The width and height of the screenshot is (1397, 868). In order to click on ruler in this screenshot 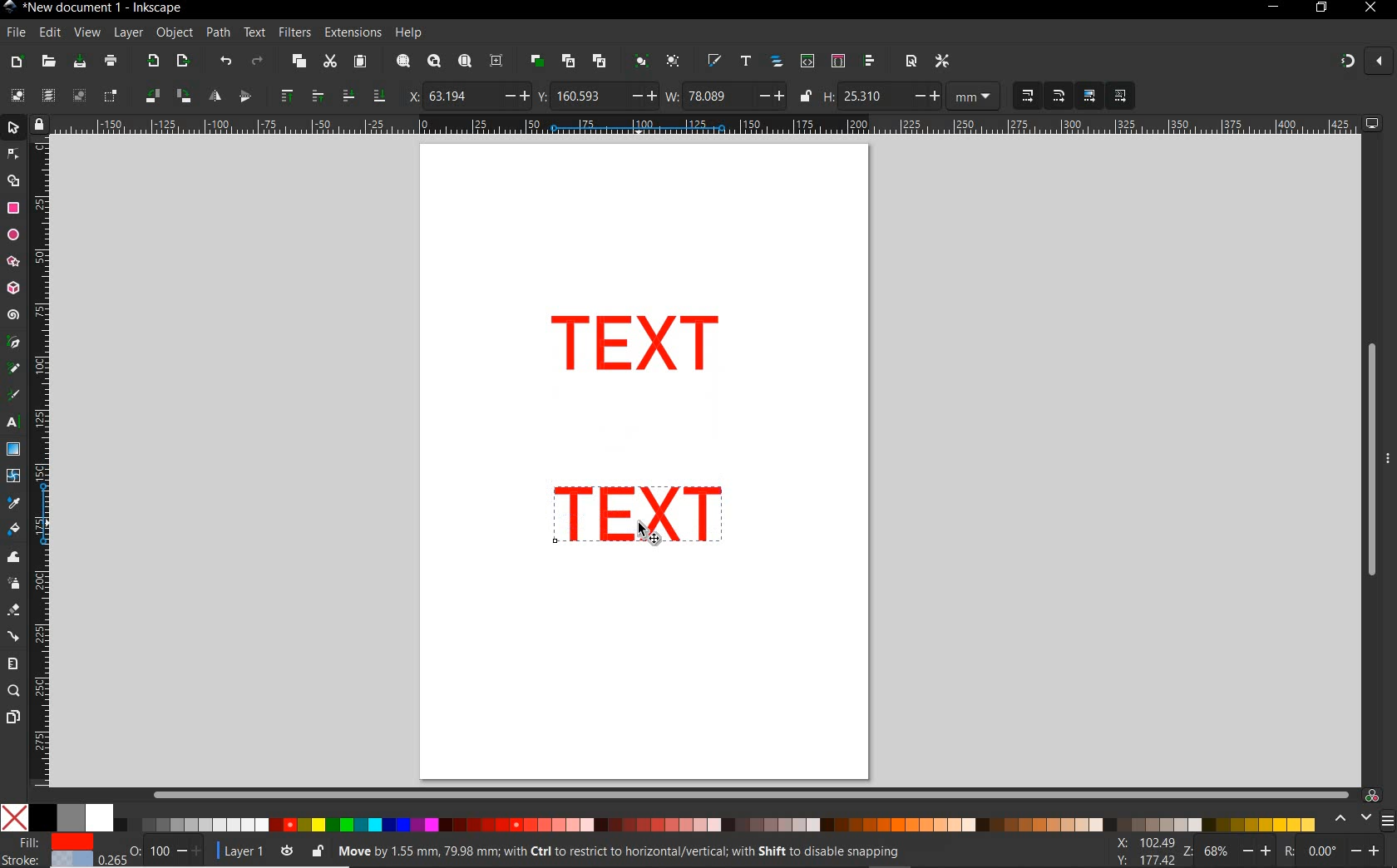, I will do `click(42, 466)`.